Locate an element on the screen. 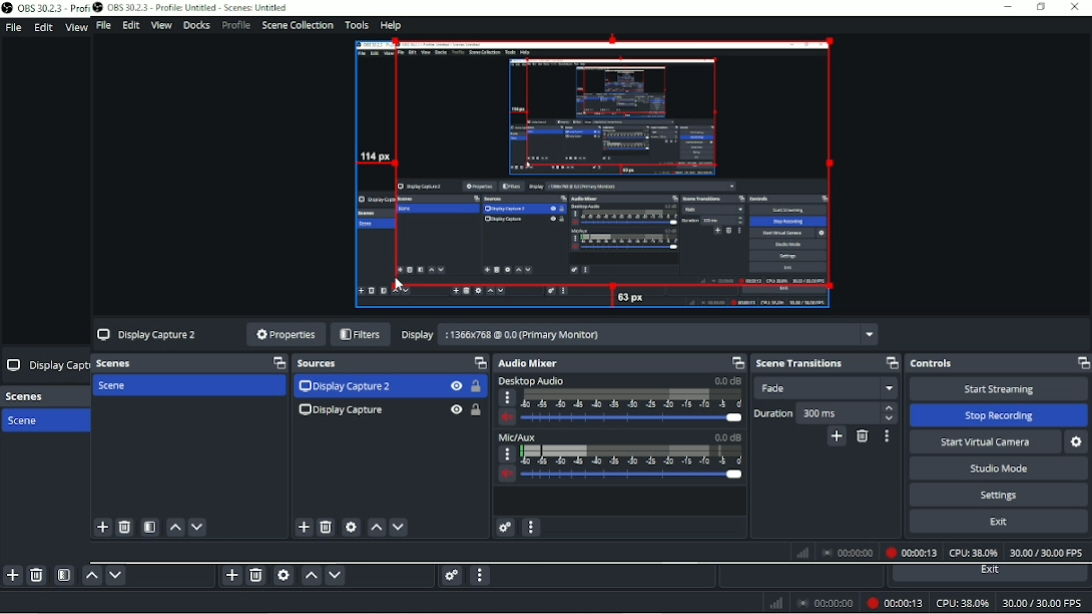  Network is located at coordinates (777, 602).